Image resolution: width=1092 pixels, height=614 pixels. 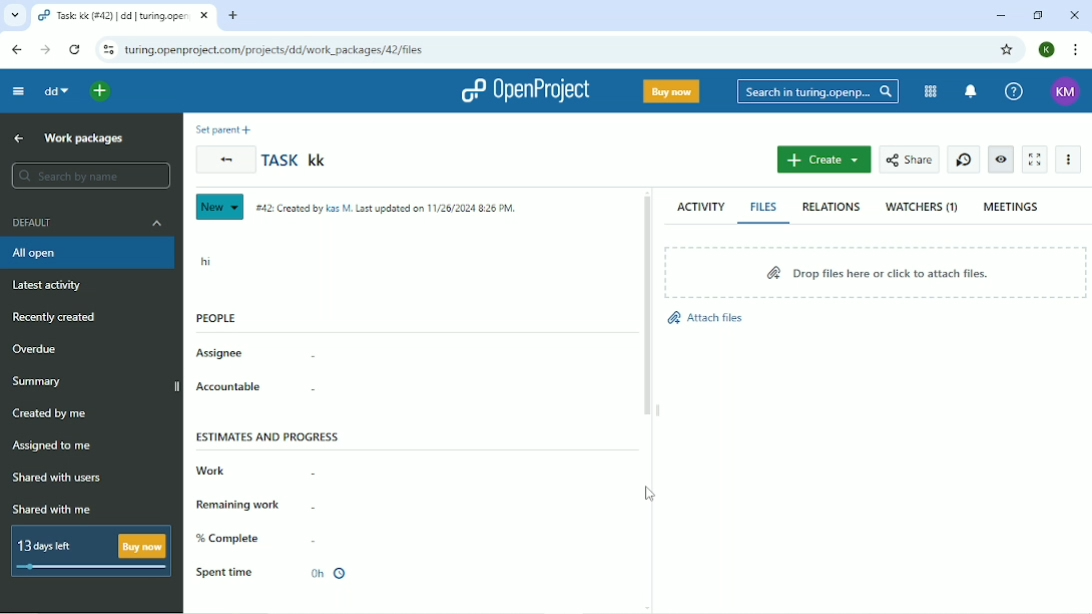 I want to click on Task kk, so click(x=297, y=160).